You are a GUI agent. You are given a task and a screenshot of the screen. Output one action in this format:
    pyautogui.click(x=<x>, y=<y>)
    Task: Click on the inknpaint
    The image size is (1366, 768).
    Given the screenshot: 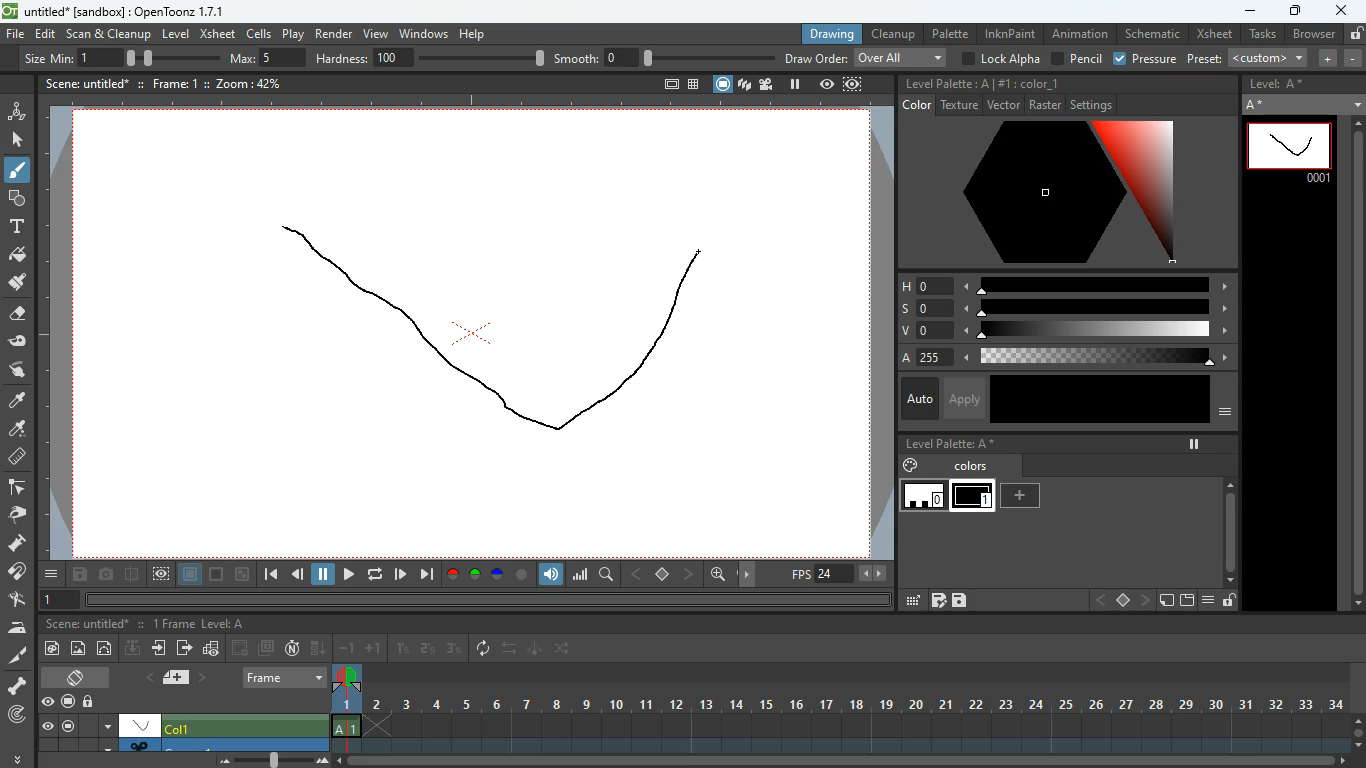 What is the action you would take?
    pyautogui.click(x=1010, y=33)
    